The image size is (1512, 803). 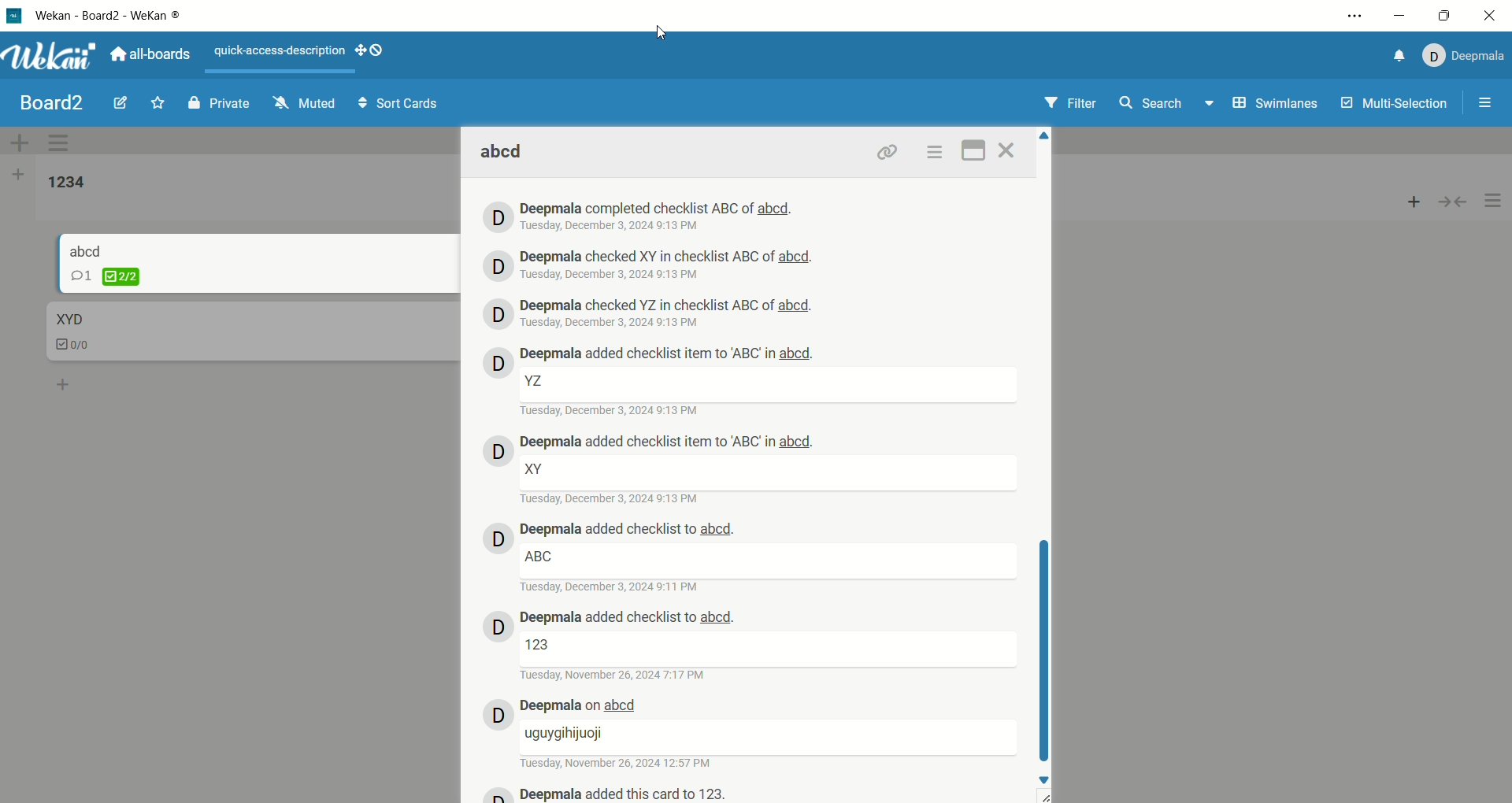 I want to click on options, so click(x=1494, y=202).